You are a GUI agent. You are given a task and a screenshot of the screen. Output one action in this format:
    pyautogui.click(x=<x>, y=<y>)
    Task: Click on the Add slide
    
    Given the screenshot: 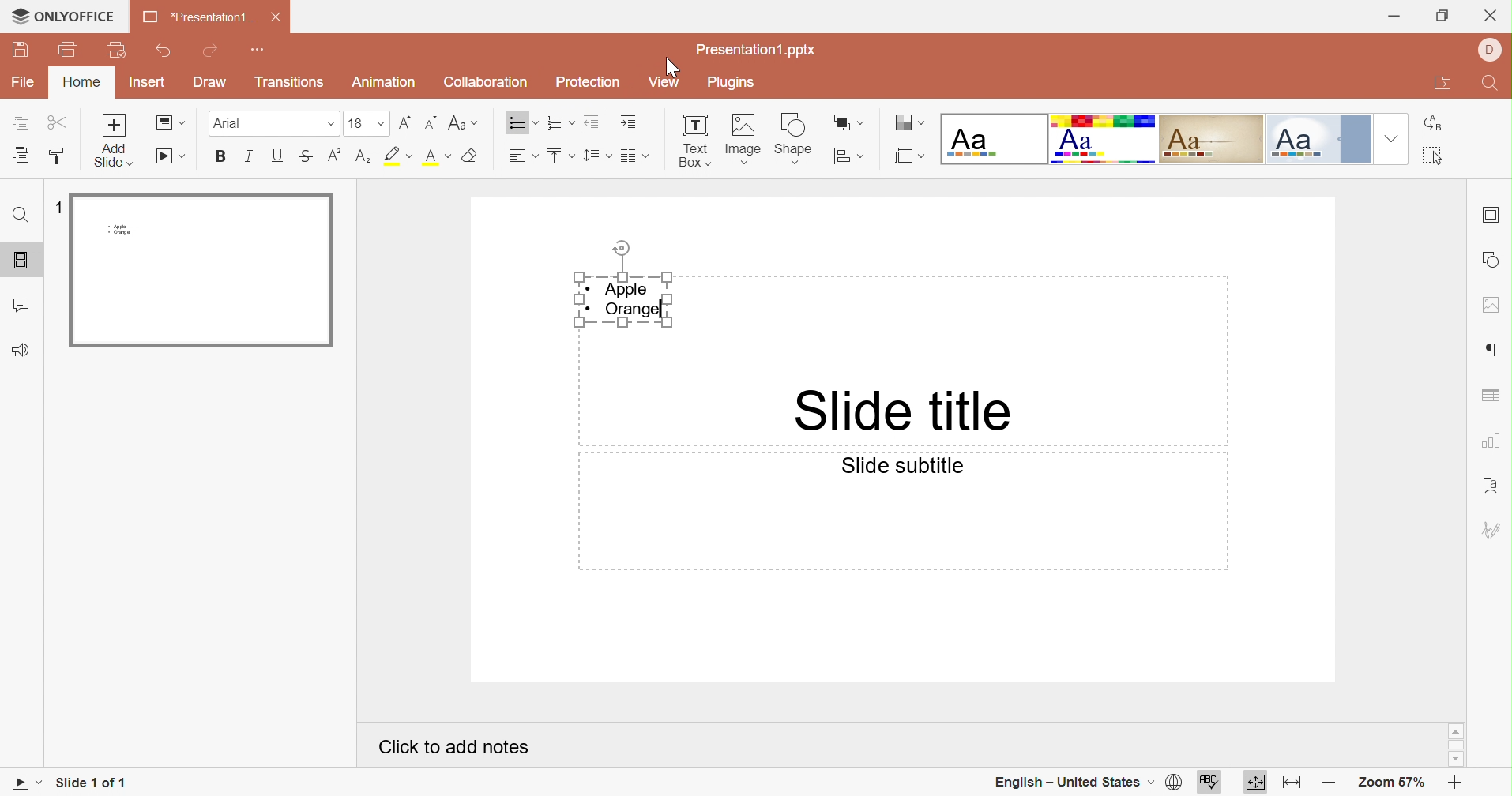 What is the action you would take?
    pyautogui.click(x=115, y=140)
    